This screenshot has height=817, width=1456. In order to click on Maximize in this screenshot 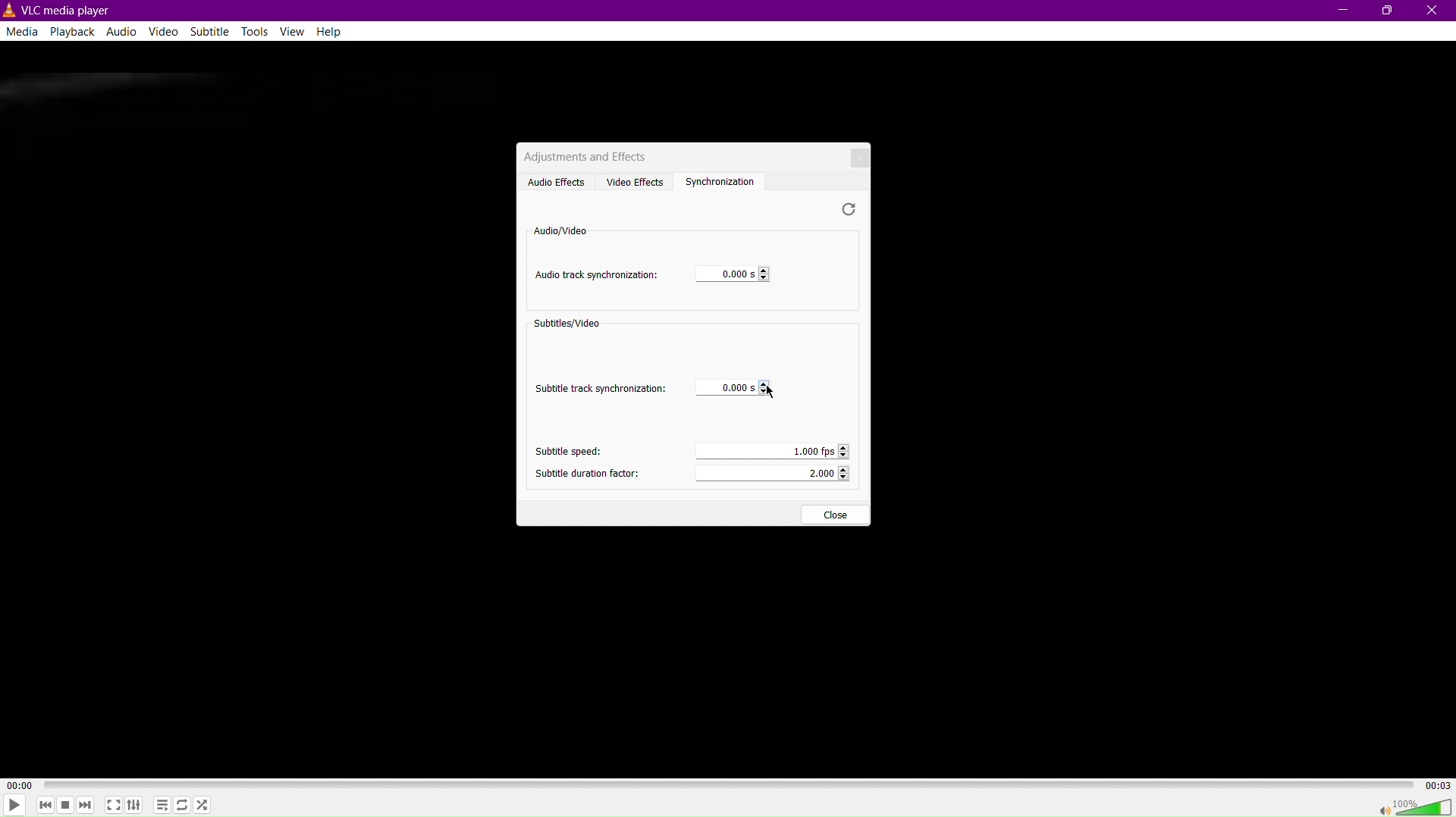, I will do `click(1389, 11)`.